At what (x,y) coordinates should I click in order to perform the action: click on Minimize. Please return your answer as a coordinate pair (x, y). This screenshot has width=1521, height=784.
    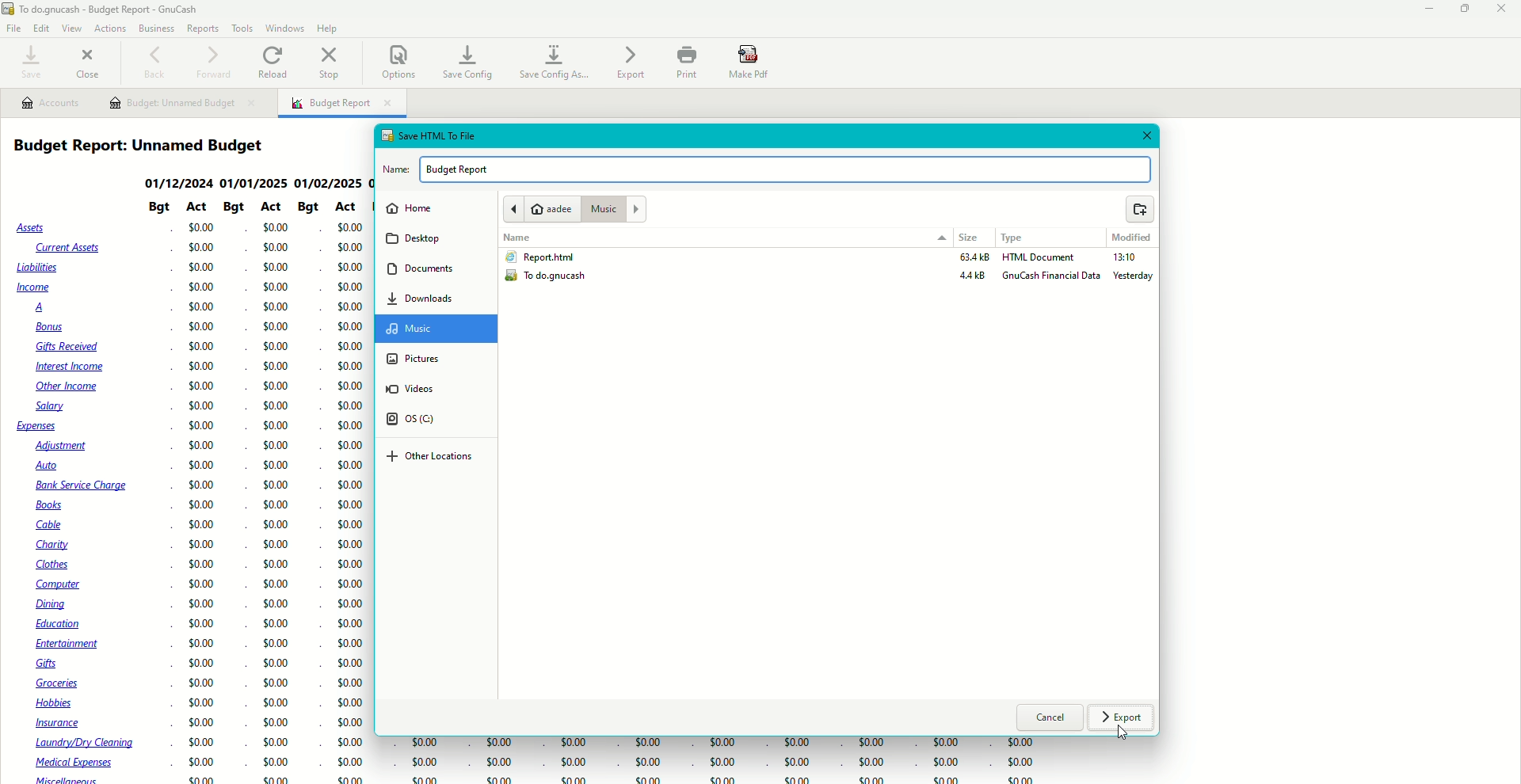
    Looking at the image, I should click on (1424, 9).